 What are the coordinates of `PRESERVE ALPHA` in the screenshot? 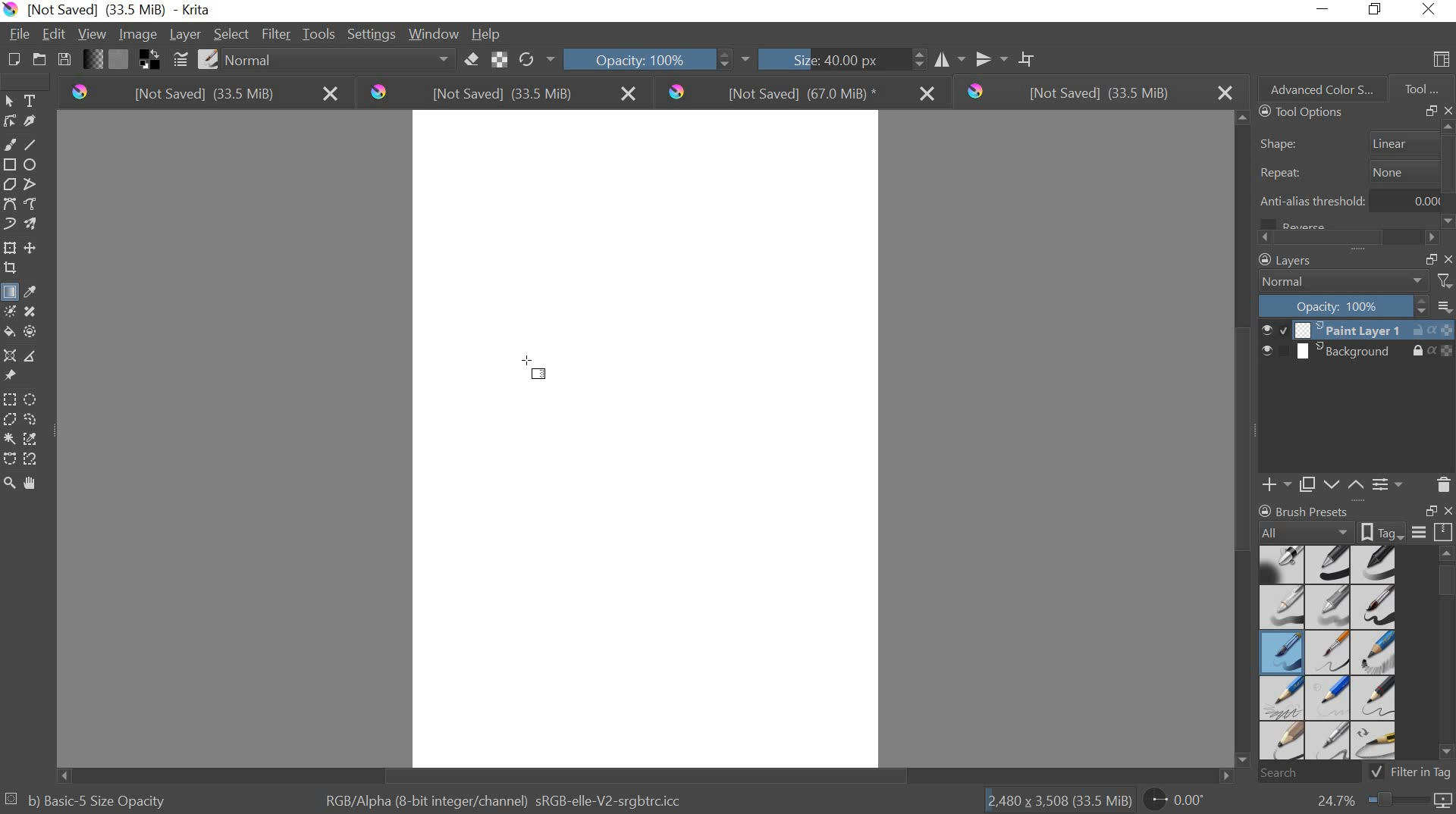 It's located at (501, 60).